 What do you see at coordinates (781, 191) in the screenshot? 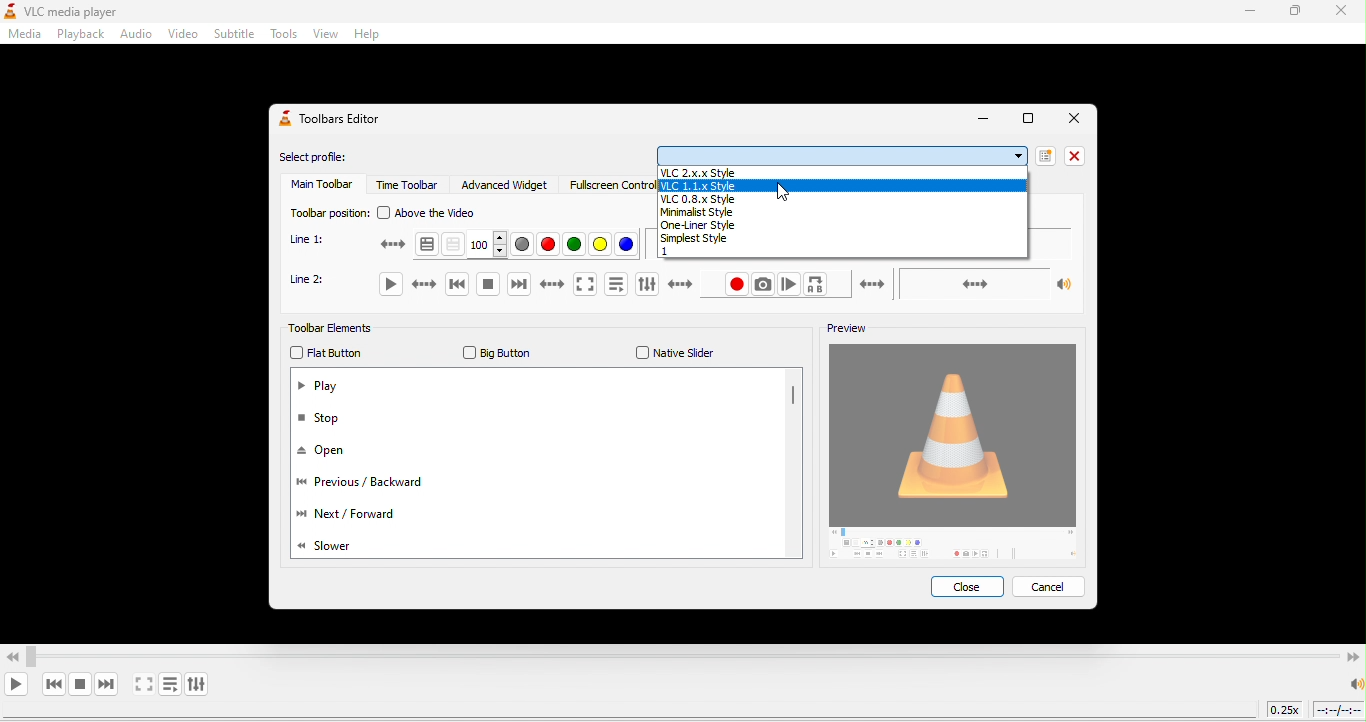
I see `cursor movement` at bounding box center [781, 191].